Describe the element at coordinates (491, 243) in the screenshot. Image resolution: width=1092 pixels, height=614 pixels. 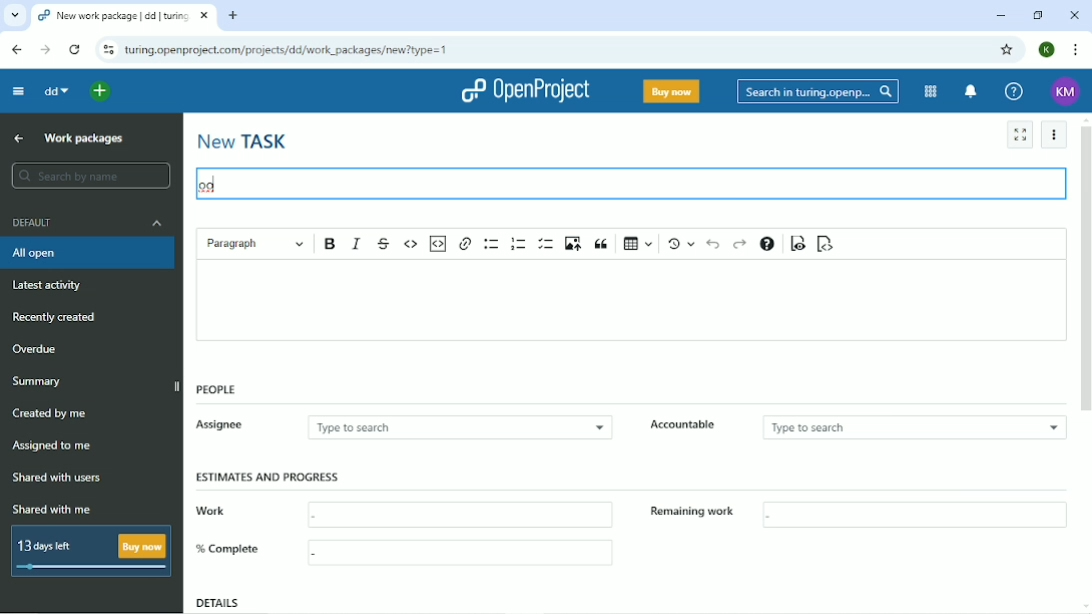
I see `Bulleted list` at that location.